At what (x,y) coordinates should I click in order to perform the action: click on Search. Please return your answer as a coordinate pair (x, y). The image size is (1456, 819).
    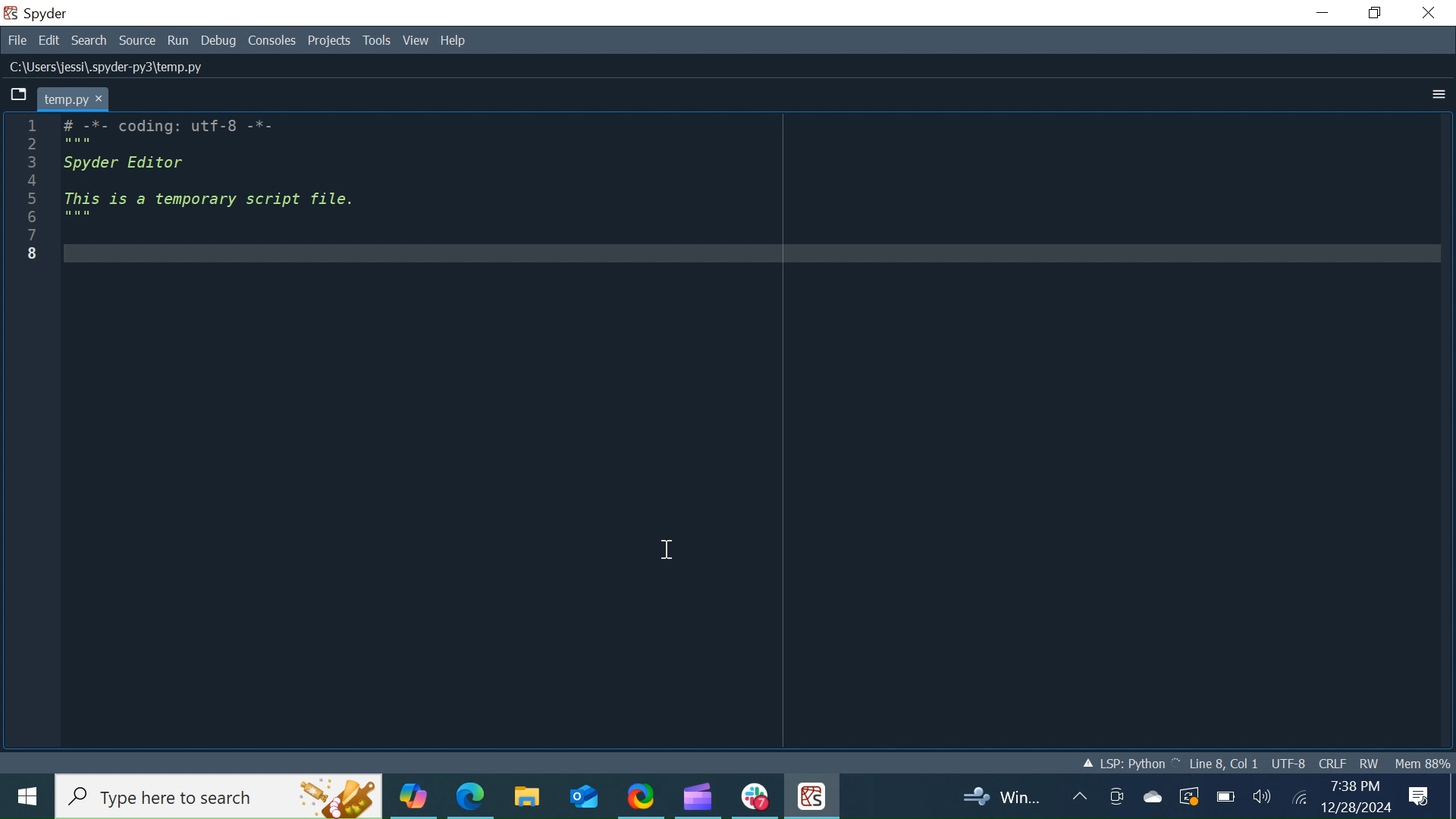
    Looking at the image, I should click on (220, 796).